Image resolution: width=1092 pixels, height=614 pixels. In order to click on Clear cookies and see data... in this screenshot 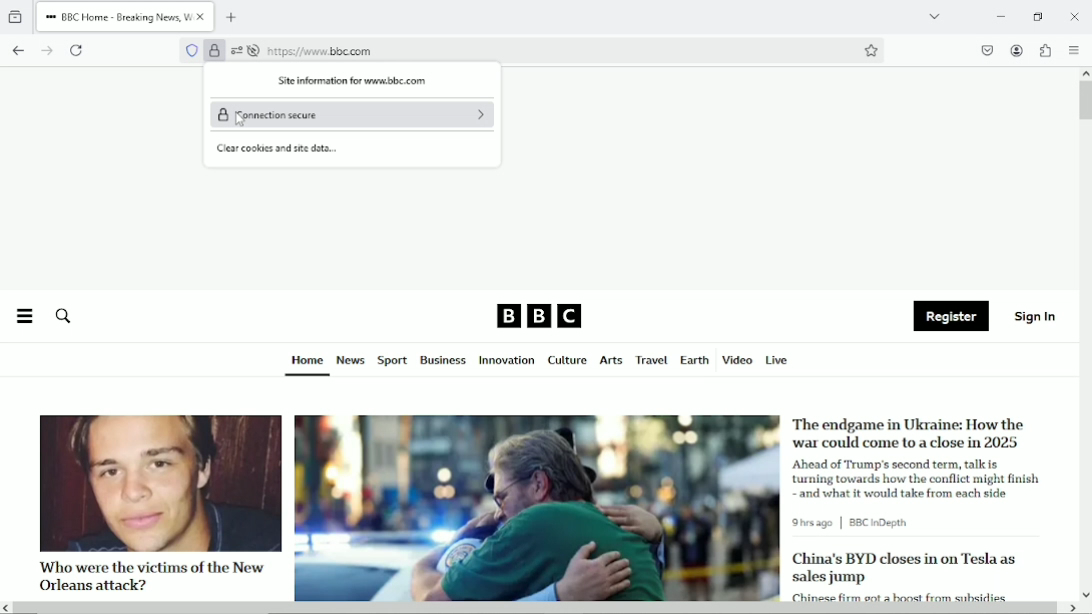, I will do `click(276, 149)`.